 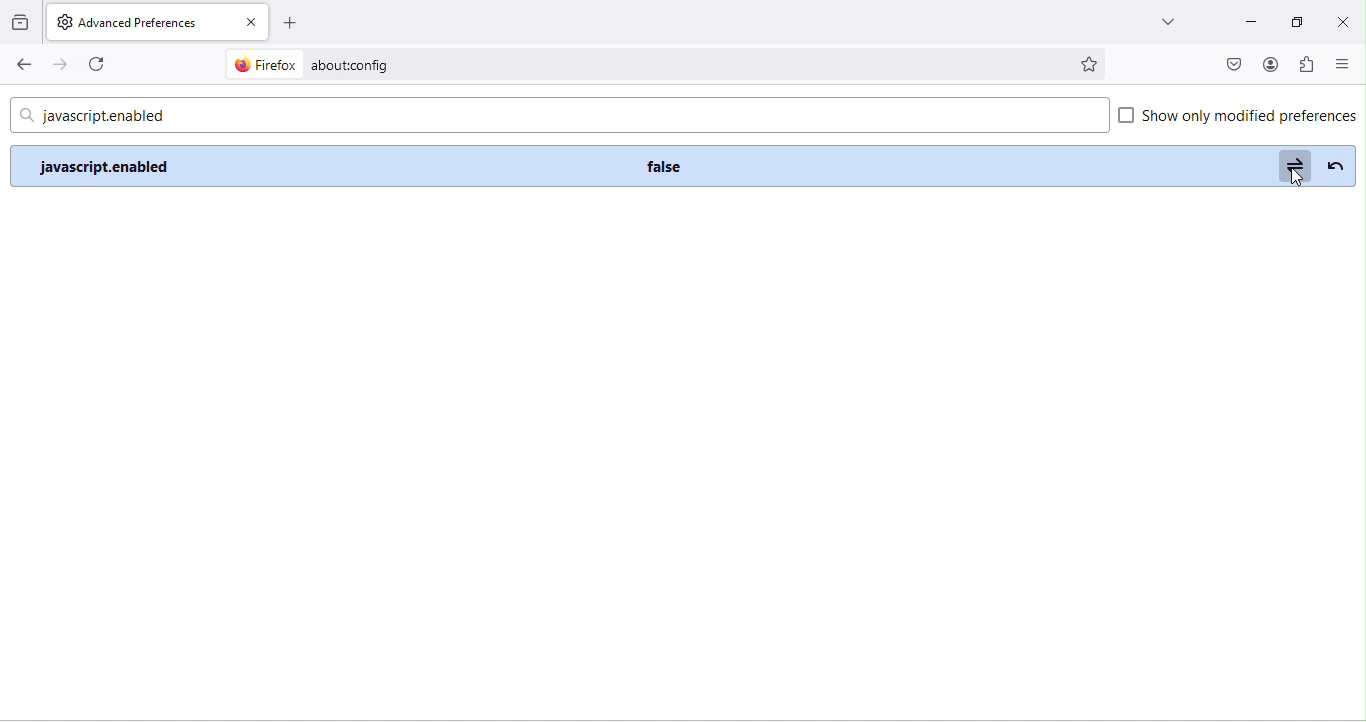 I want to click on about config, so click(x=683, y=64).